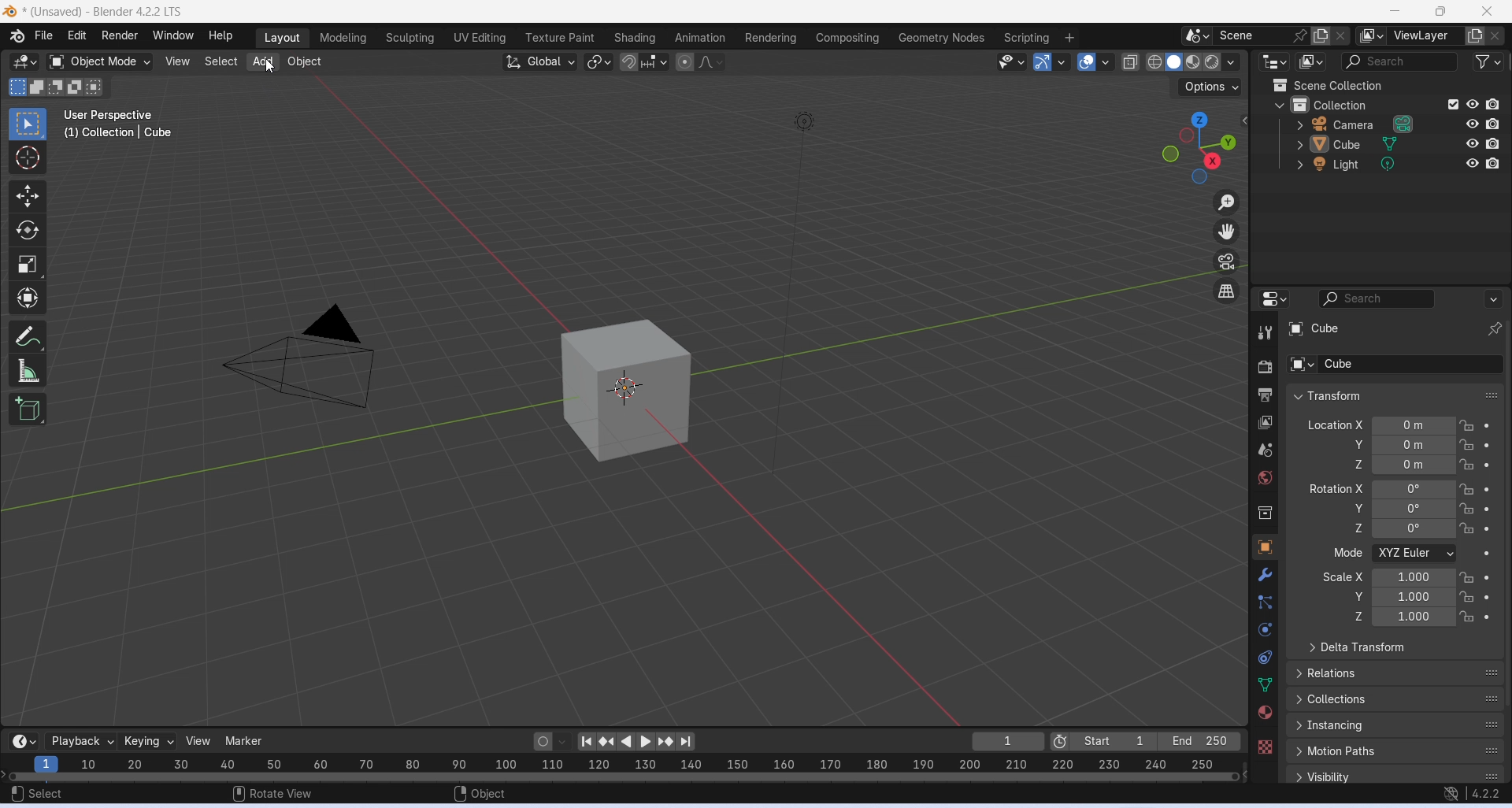  What do you see at coordinates (120, 132) in the screenshot?
I see `(1) Collection | Cube` at bounding box center [120, 132].